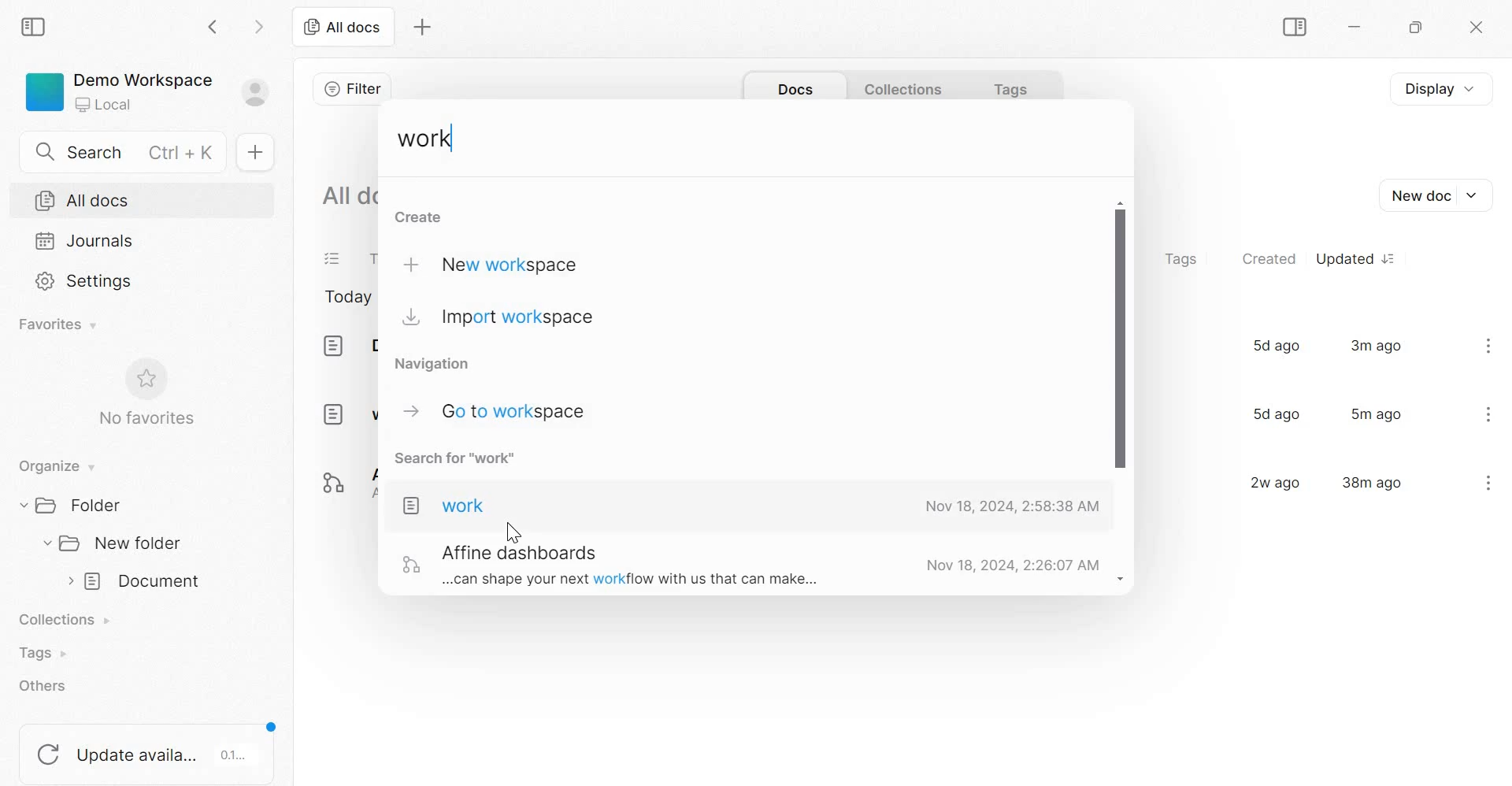 Image resolution: width=1512 pixels, height=786 pixels. What do you see at coordinates (445, 506) in the screenshot?
I see `work` at bounding box center [445, 506].